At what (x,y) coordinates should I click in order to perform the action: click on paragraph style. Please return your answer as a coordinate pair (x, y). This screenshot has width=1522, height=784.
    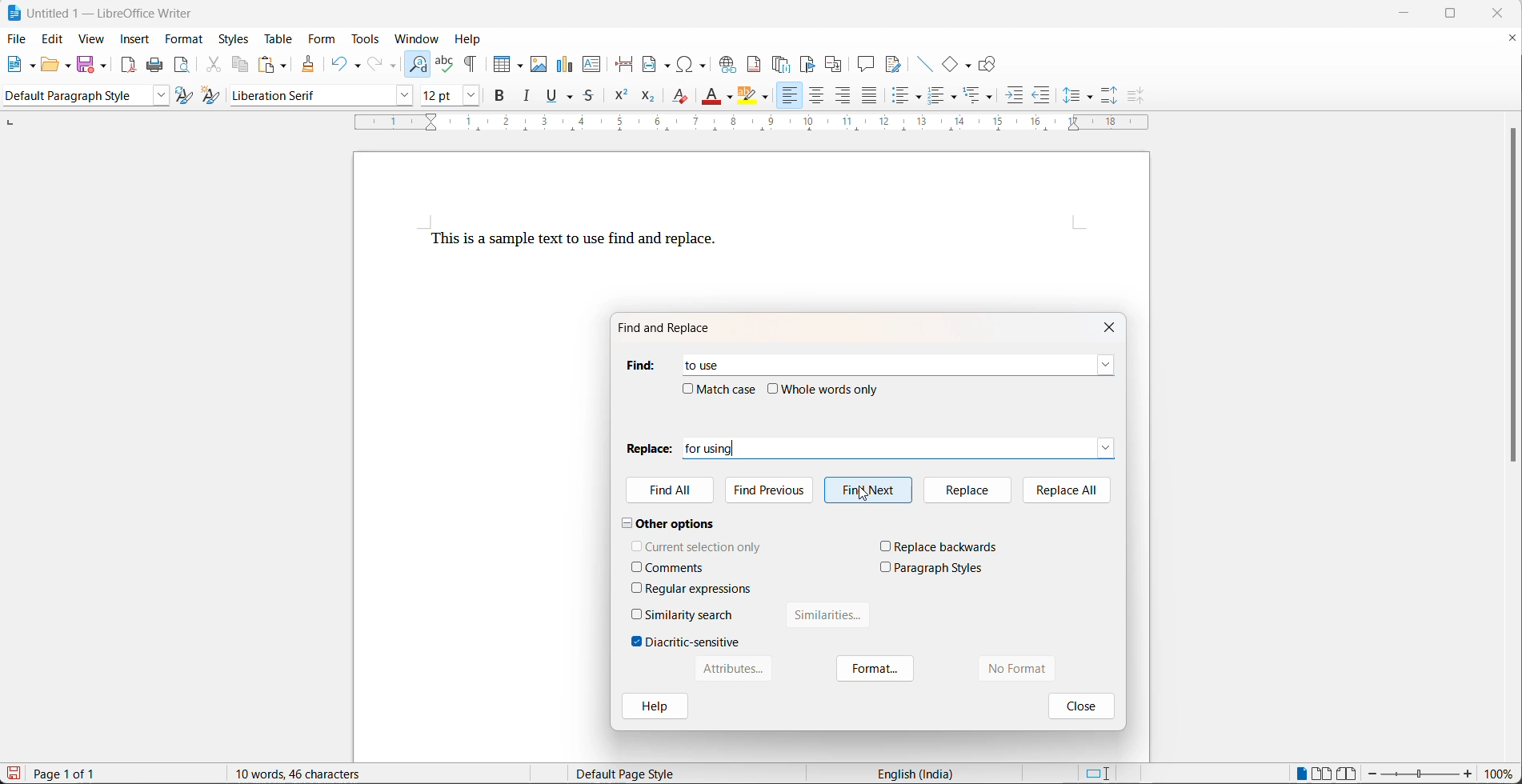
    Looking at the image, I should click on (73, 96).